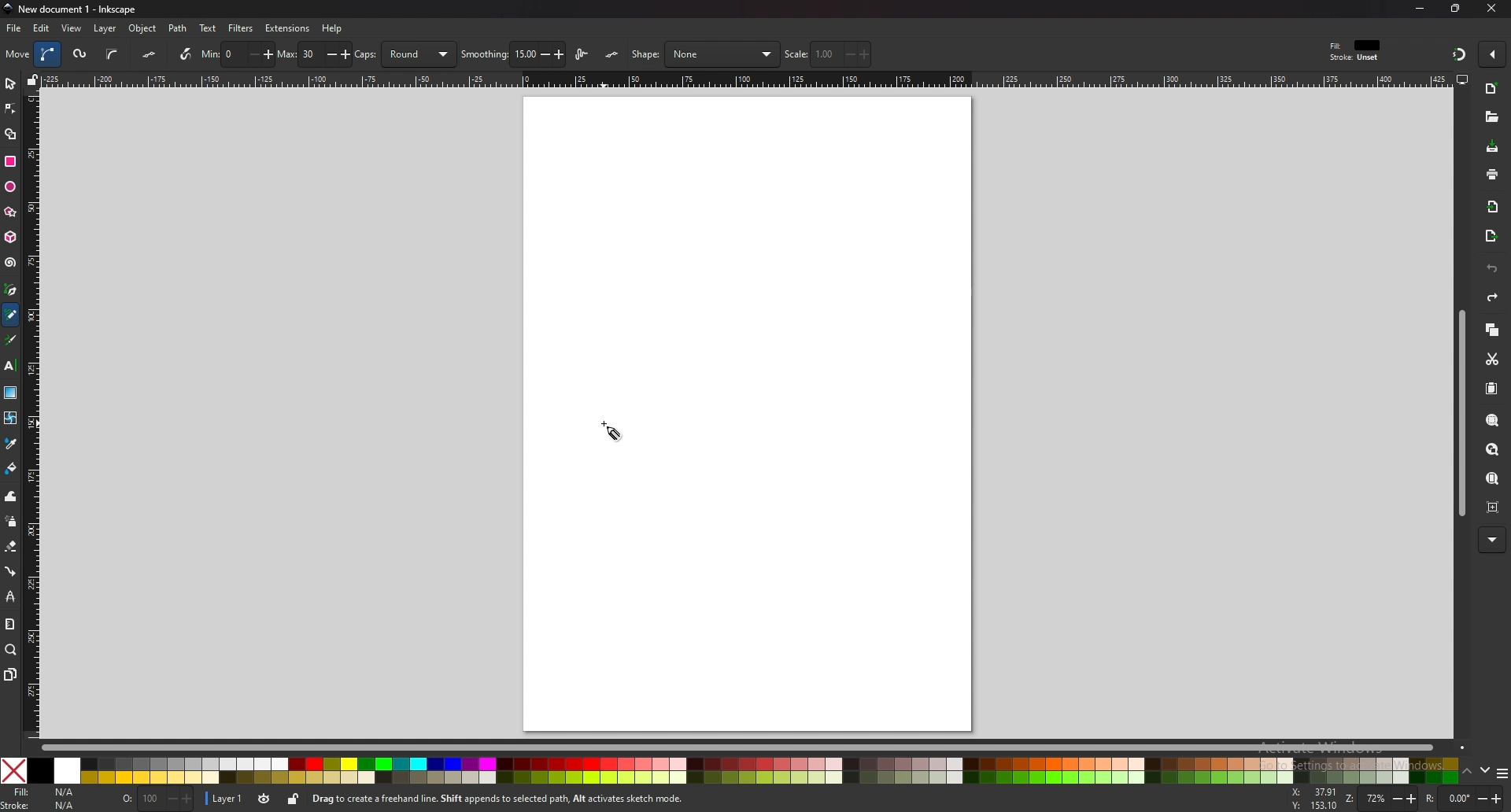 This screenshot has height=812, width=1511. I want to click on stars and polygons, so click(10, 212).